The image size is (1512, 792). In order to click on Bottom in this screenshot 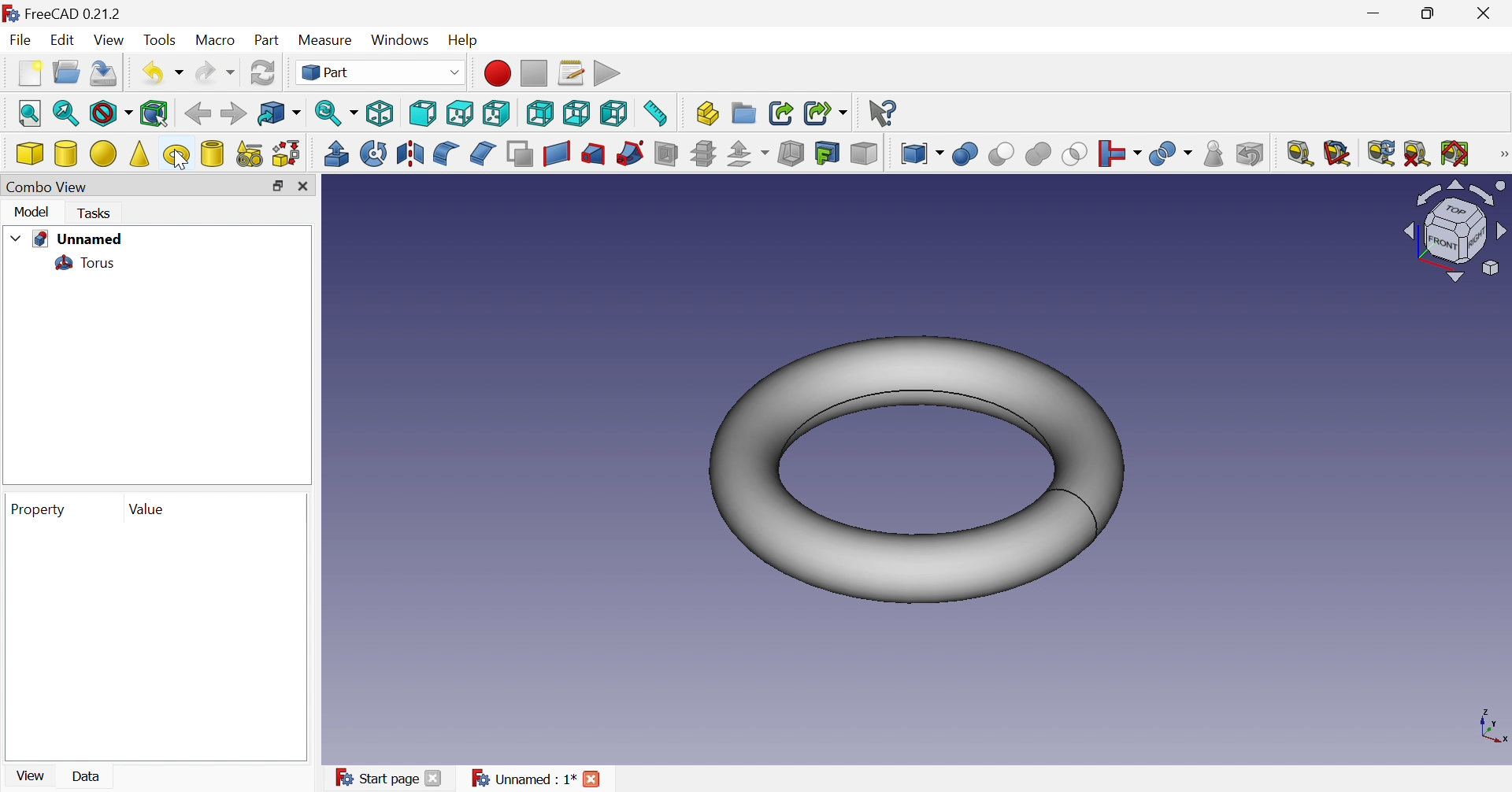, I will do `click(576, 113)`.